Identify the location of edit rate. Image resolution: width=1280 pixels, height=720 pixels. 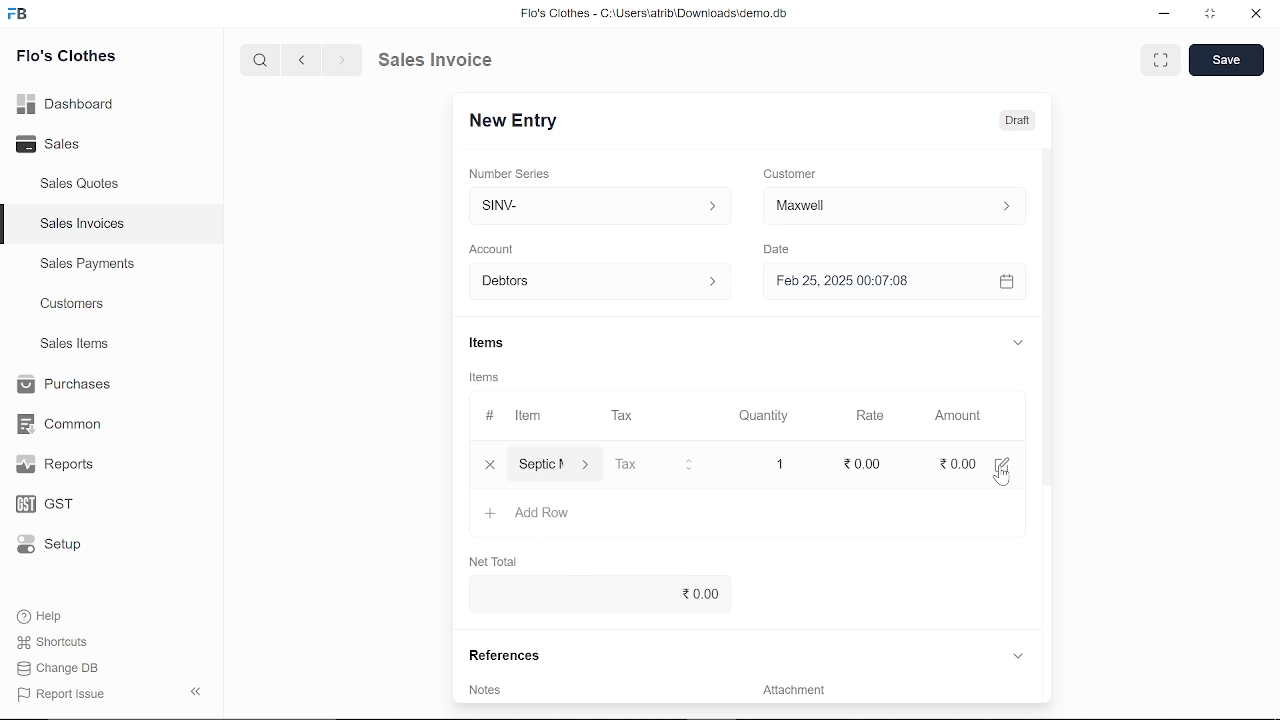
(860, 463).